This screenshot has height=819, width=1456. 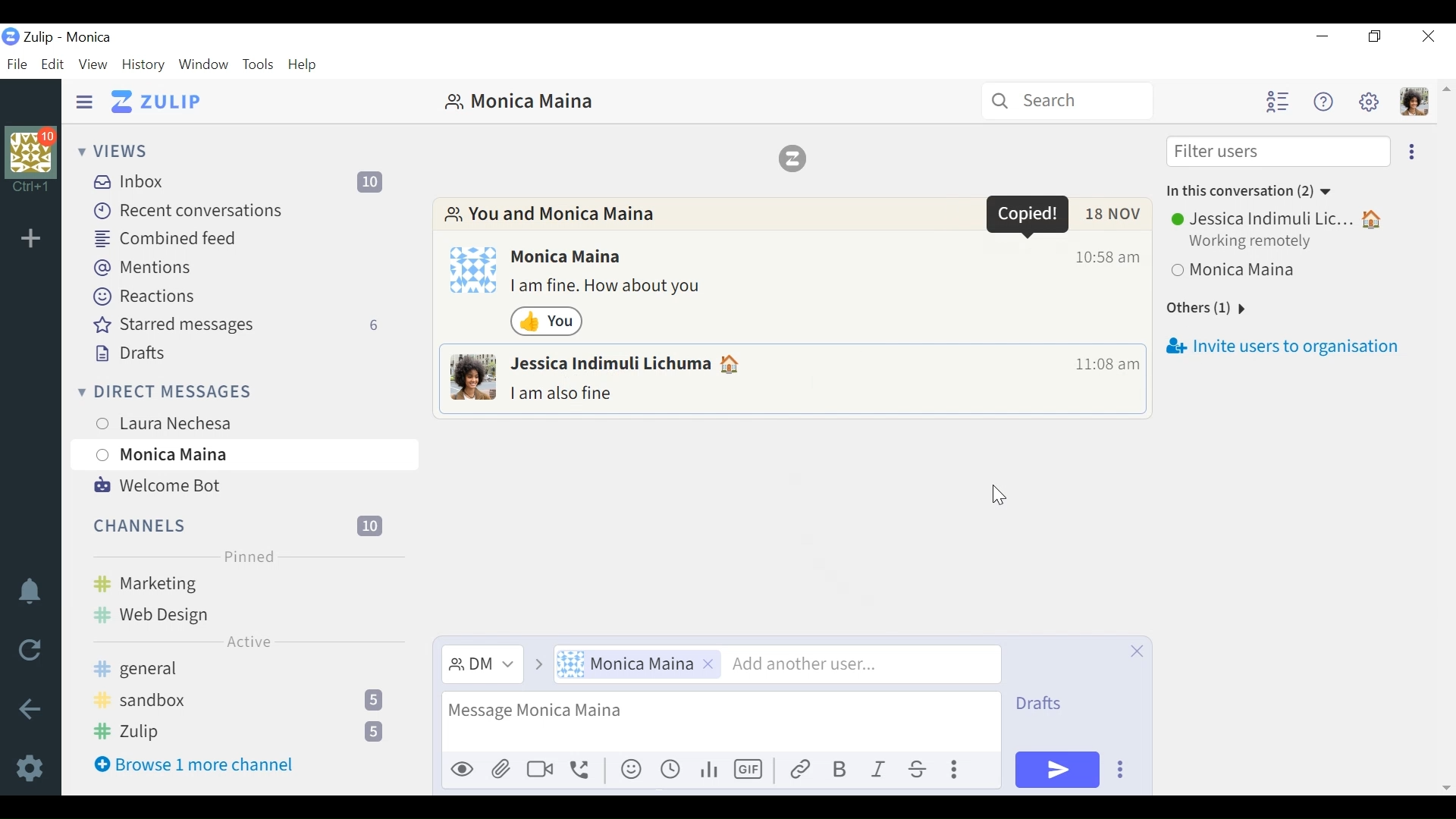 I want to click on You and Monica Maina, so click(x=553, y=215).